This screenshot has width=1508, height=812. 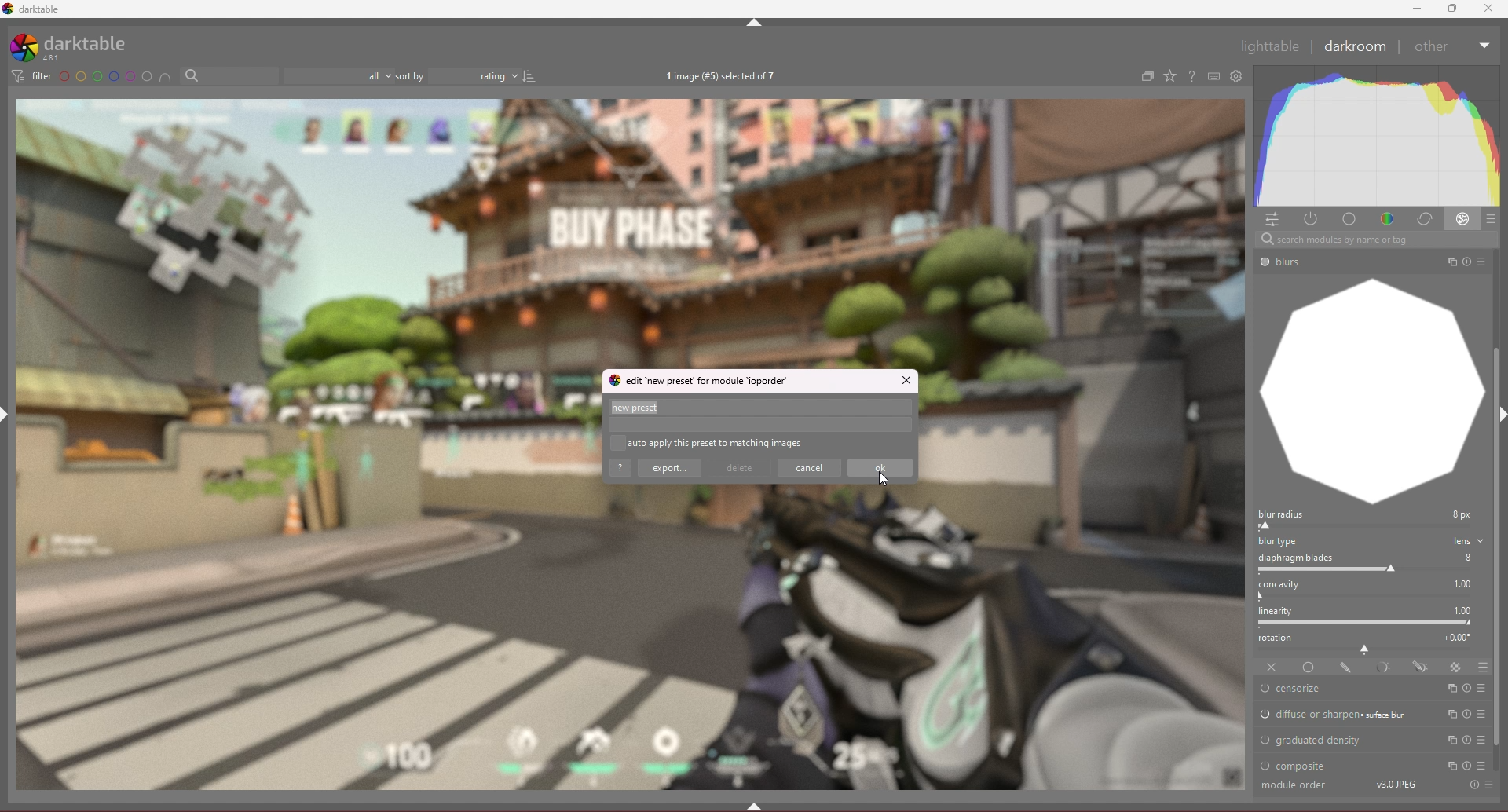 I want to click on darktable, so click(x=39, y=9).